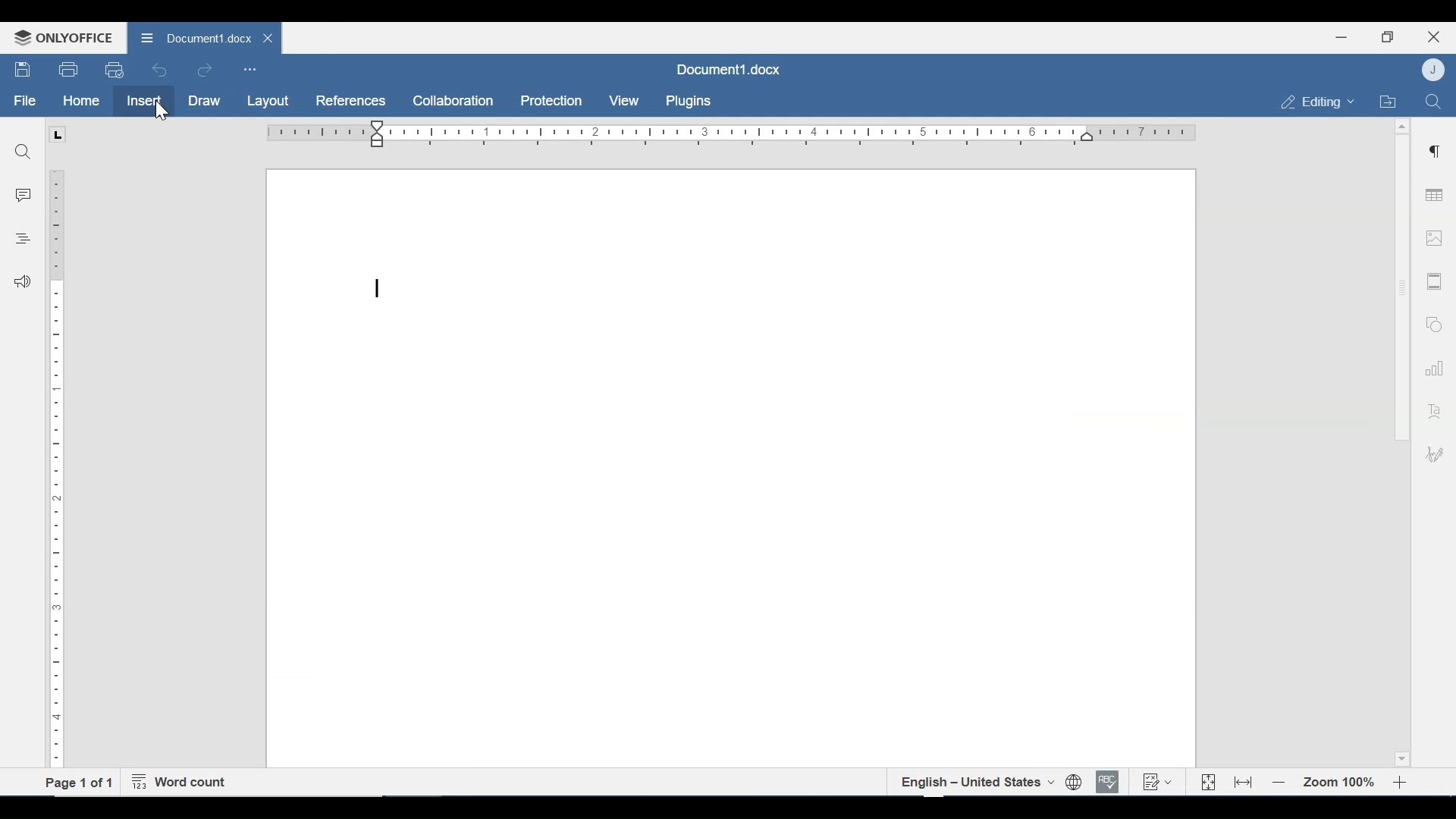 This screenshot has height=819, width=1456. I want to click on Track Changes, so click(1156, 781).